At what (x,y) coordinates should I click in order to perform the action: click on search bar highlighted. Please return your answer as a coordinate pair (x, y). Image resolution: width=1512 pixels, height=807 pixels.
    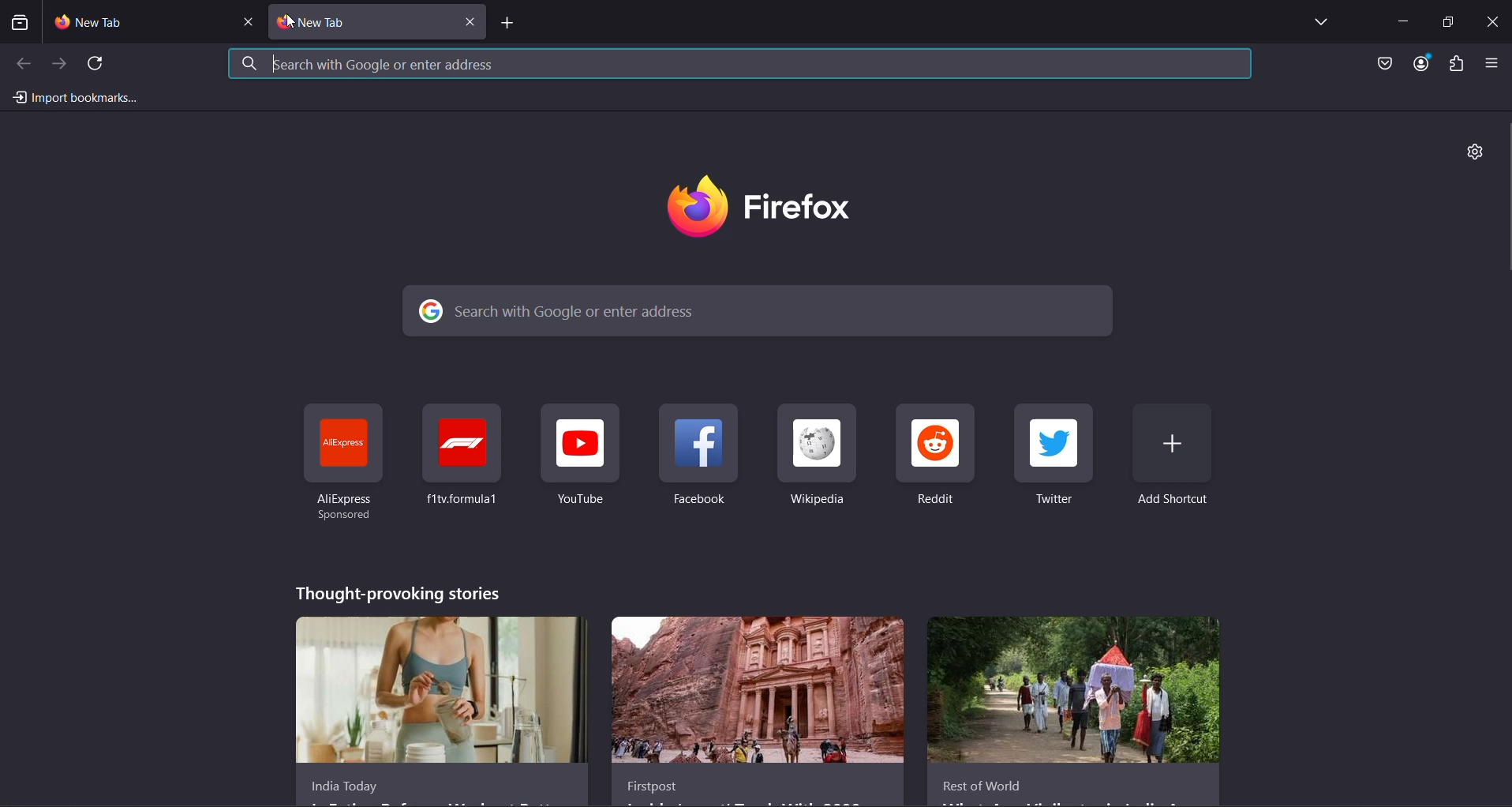
    Looking at the image, I should click on (601, 61).